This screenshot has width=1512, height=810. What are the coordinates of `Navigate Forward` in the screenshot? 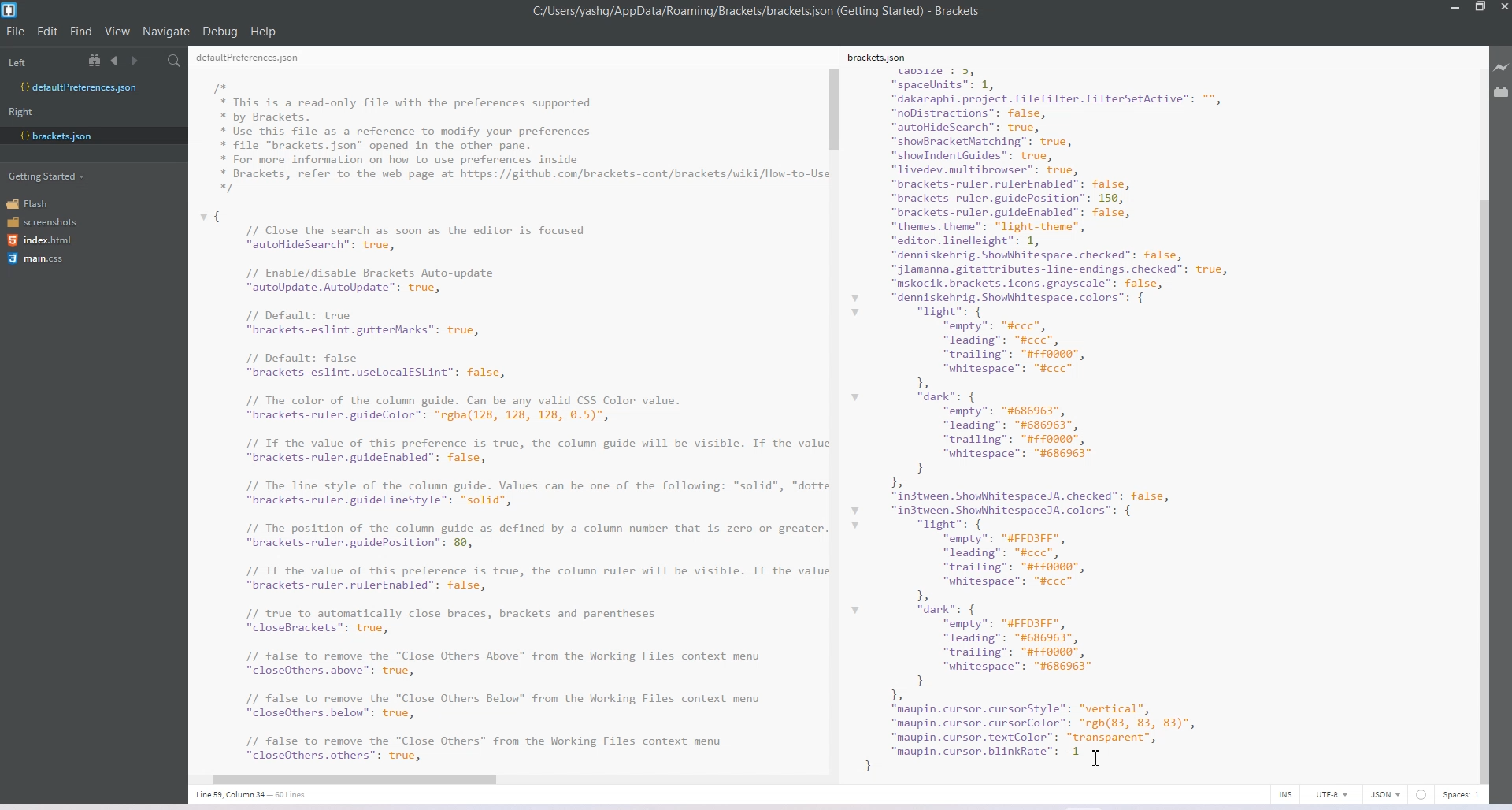 It's located at (136, 61).